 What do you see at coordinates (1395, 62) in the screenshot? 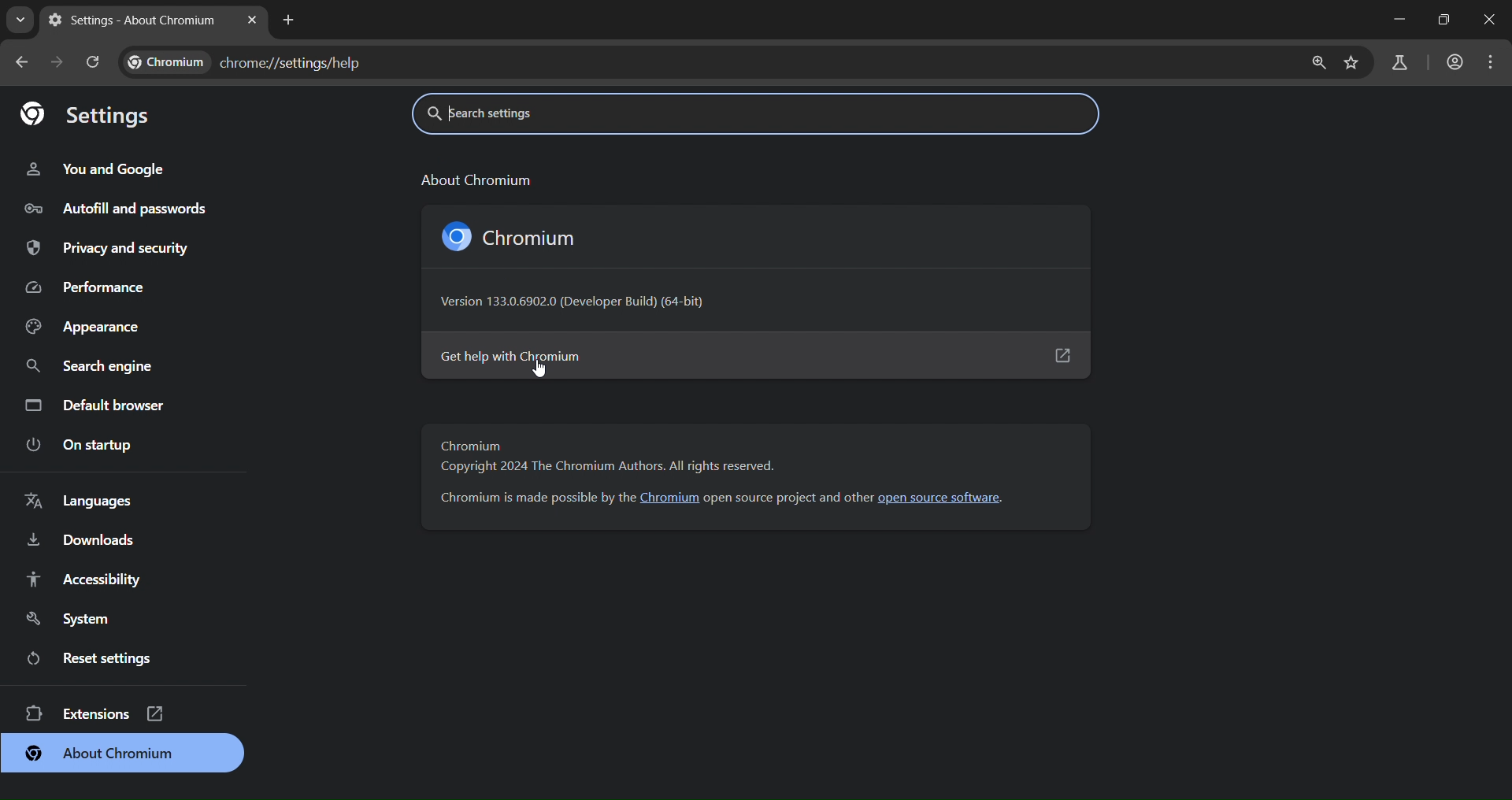
I see `search labs` at bounding box center [1395, 62].